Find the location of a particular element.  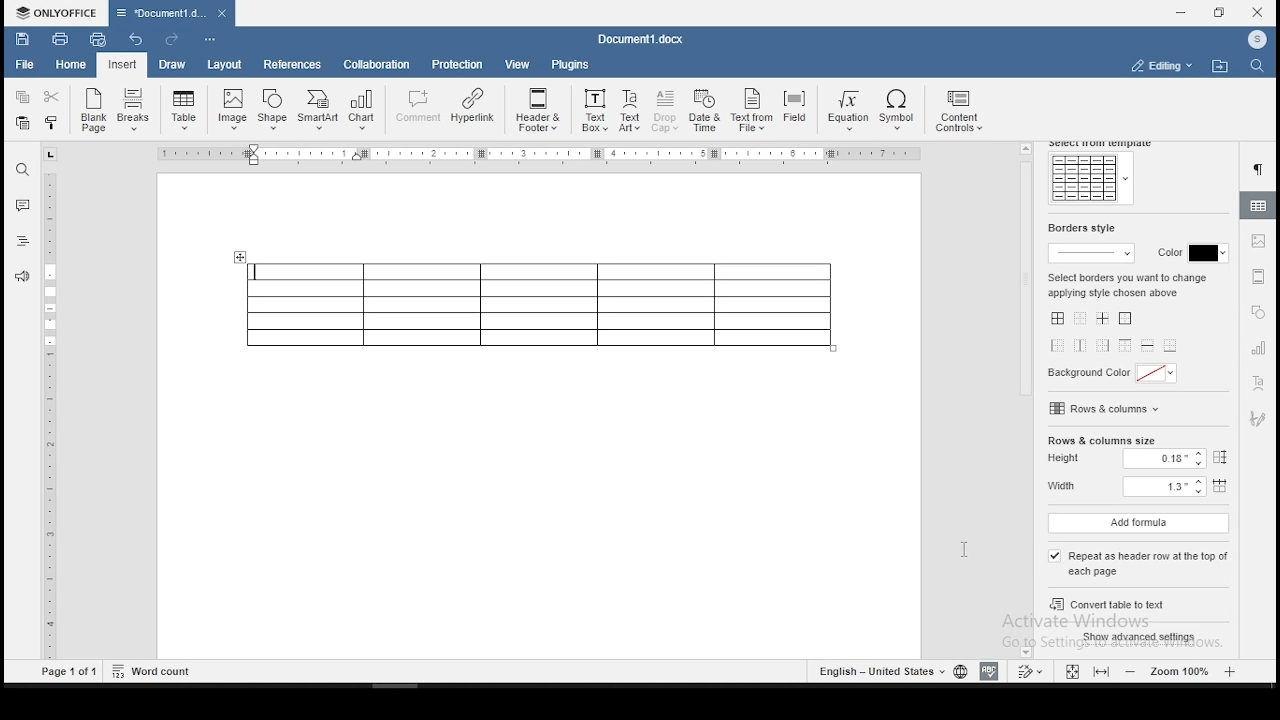

outer left border only is located at coordinates (1059, 348).